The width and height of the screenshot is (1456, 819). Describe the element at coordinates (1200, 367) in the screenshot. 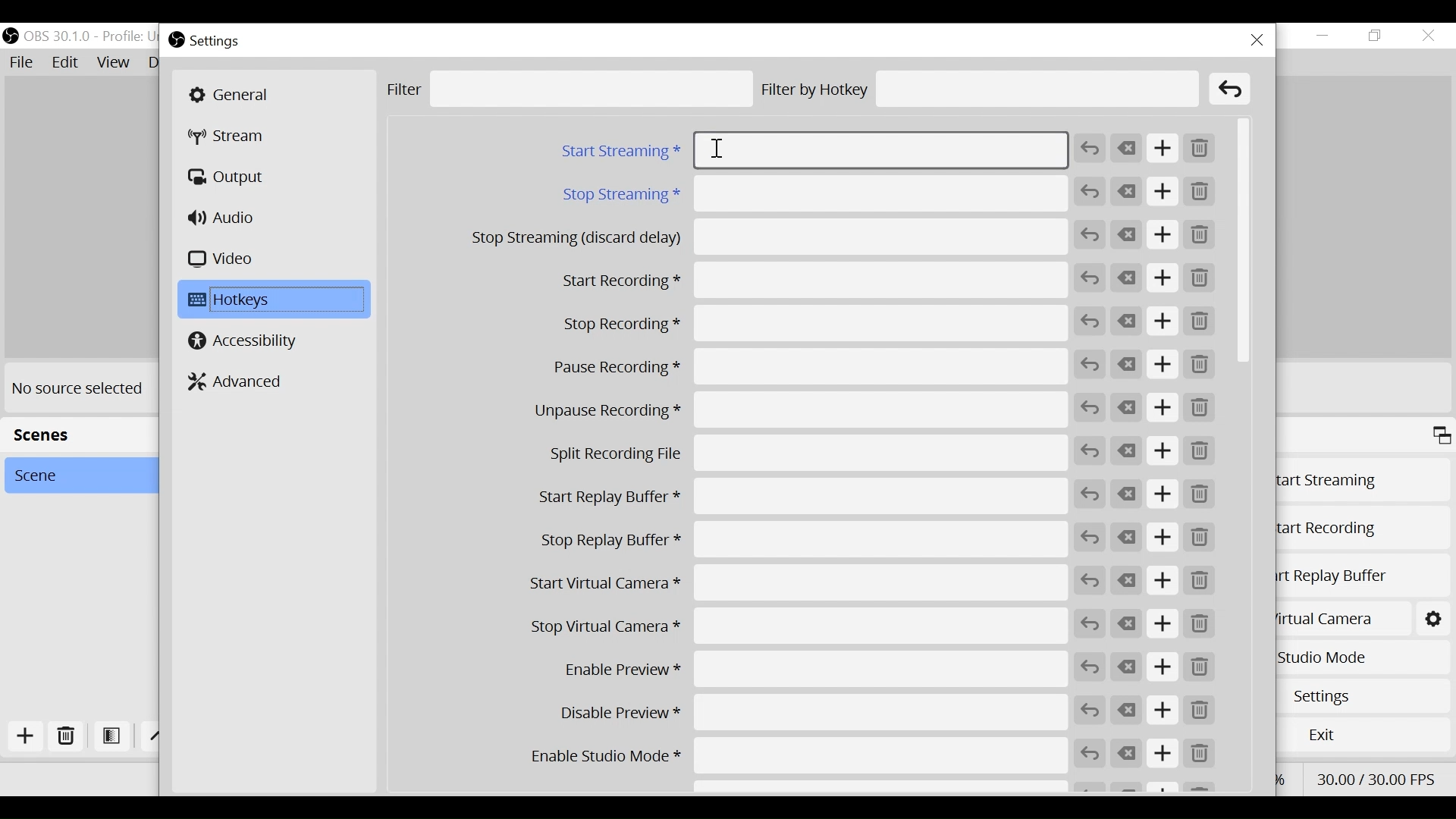

I see `Remove` at that location.